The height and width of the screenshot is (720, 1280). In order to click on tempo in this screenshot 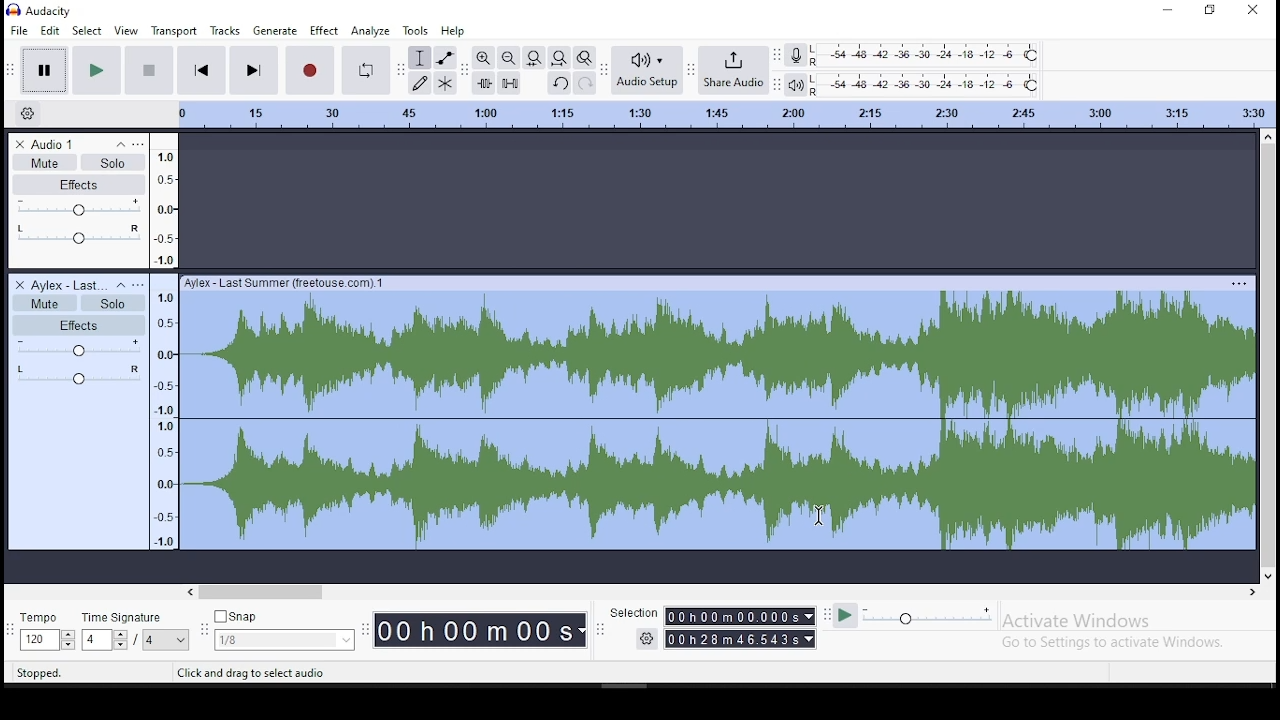, I will do `click(45, 632)`.